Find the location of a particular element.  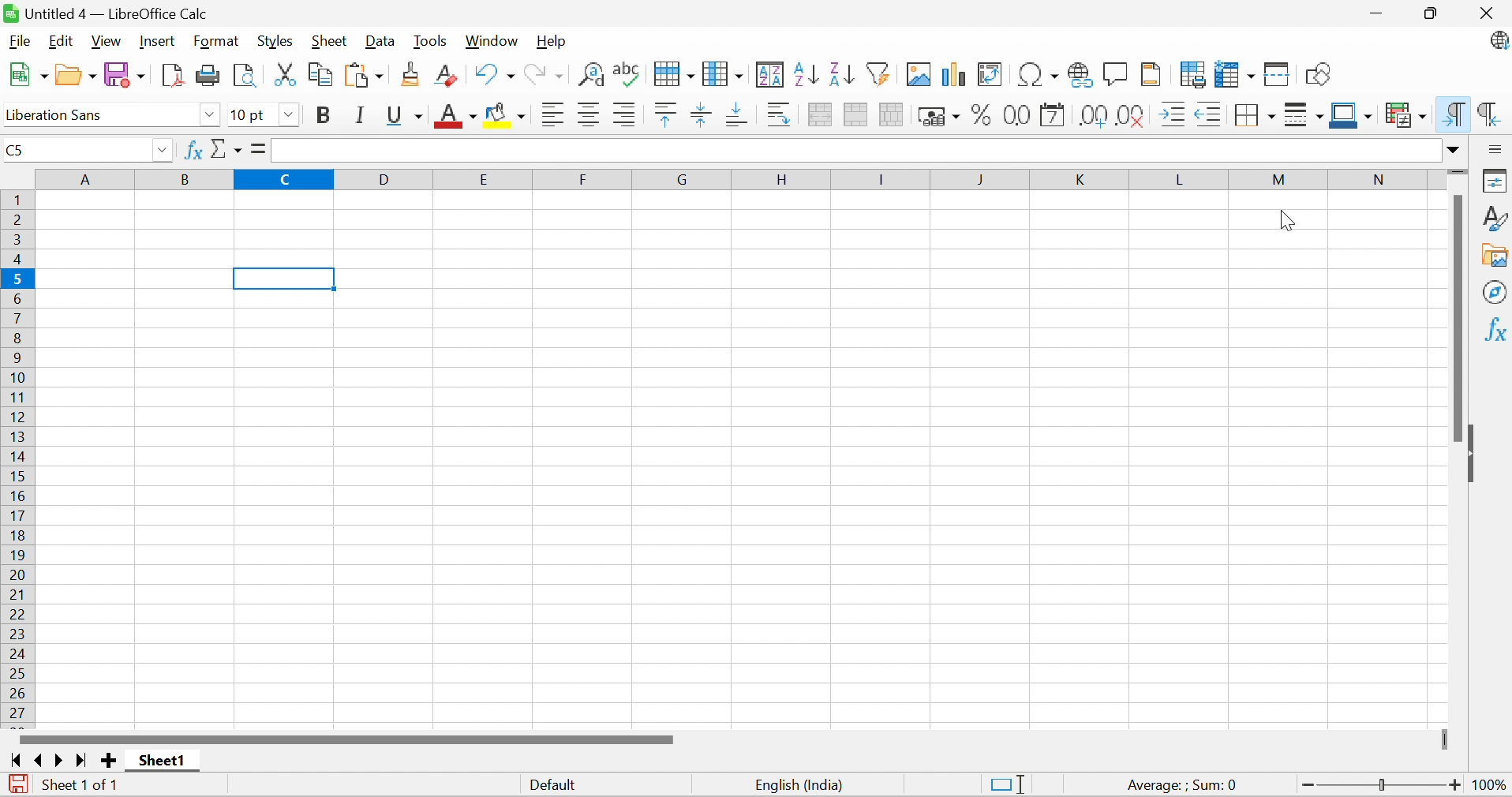

File is located at coordinates (20, 40).